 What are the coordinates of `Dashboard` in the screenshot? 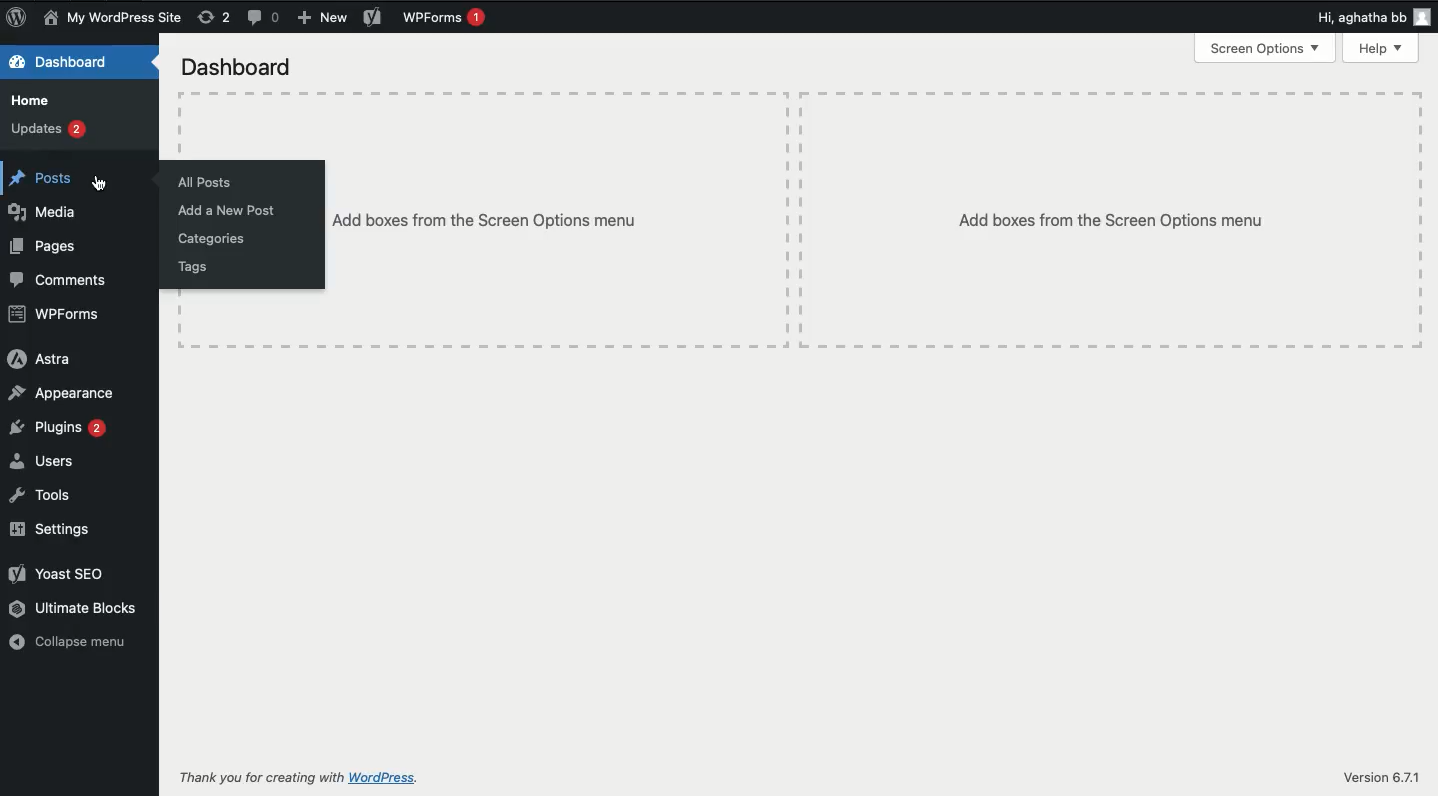 It's located at (64, 62).